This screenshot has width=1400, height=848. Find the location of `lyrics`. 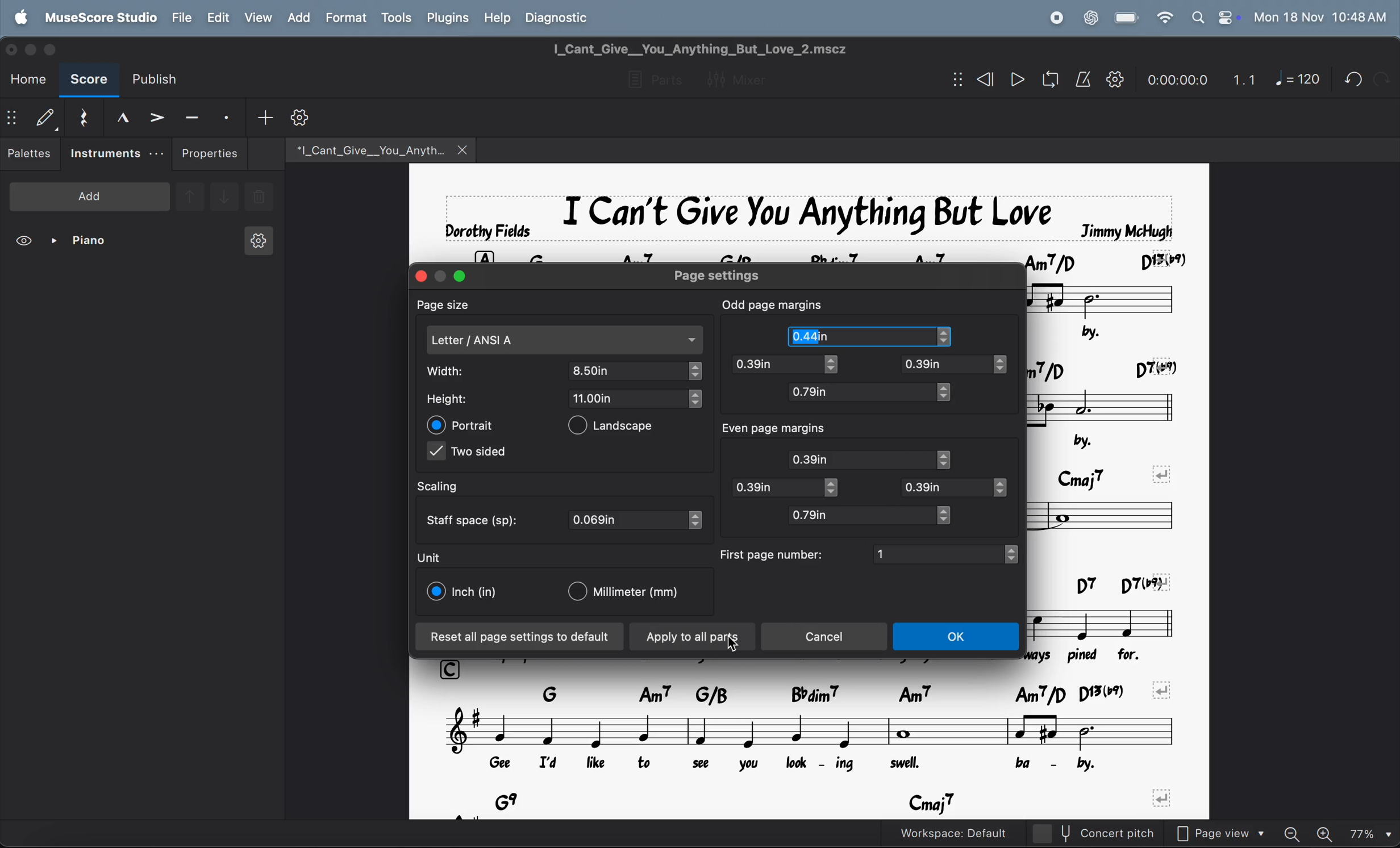

lyrics is located at coordinates (1088, 437).